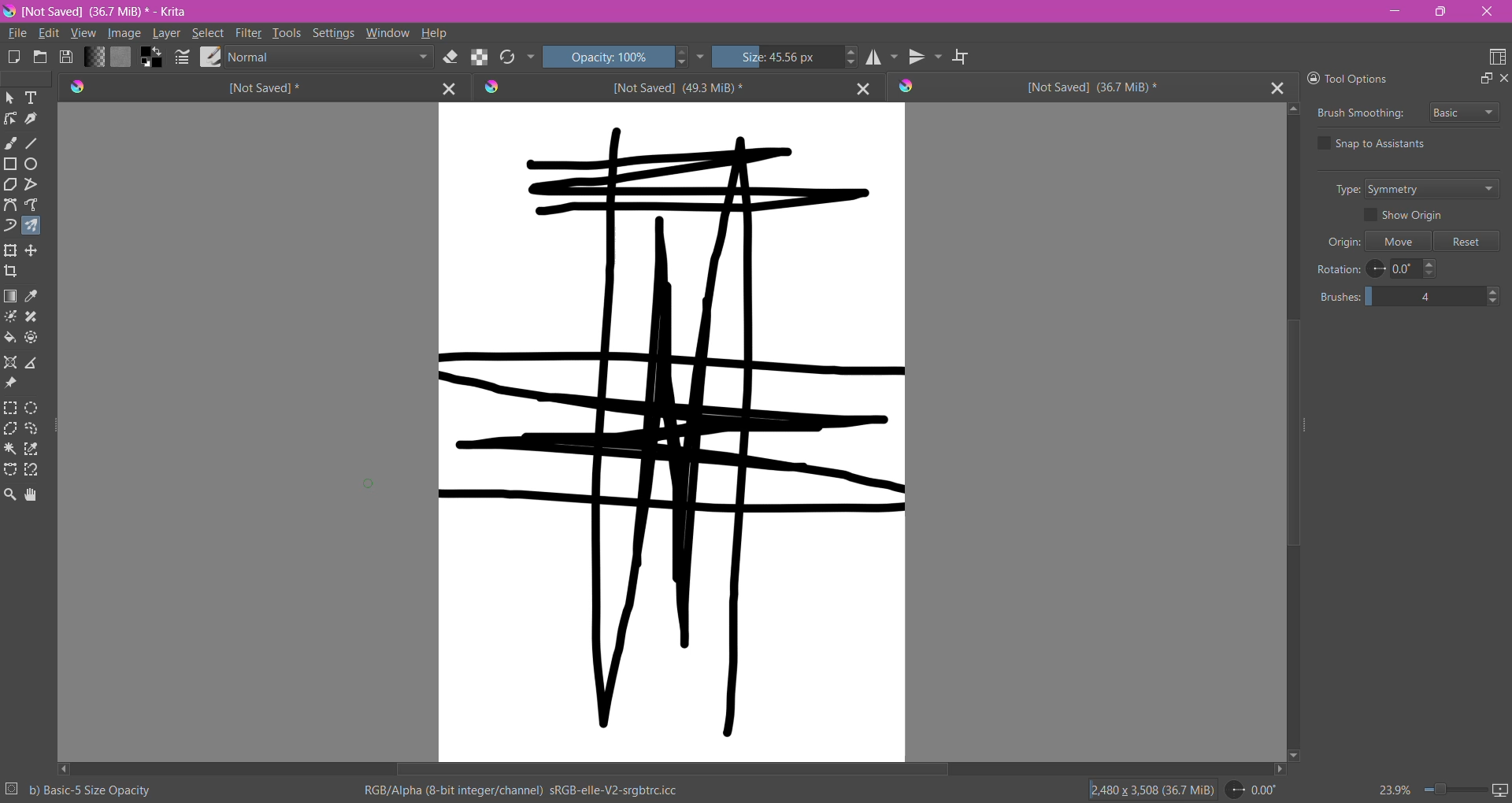 This screenshot has height=803, width=1512. Describe the element at coordinates (11, 164) in the screenshot. I see `Rectangle Tool` at that location.